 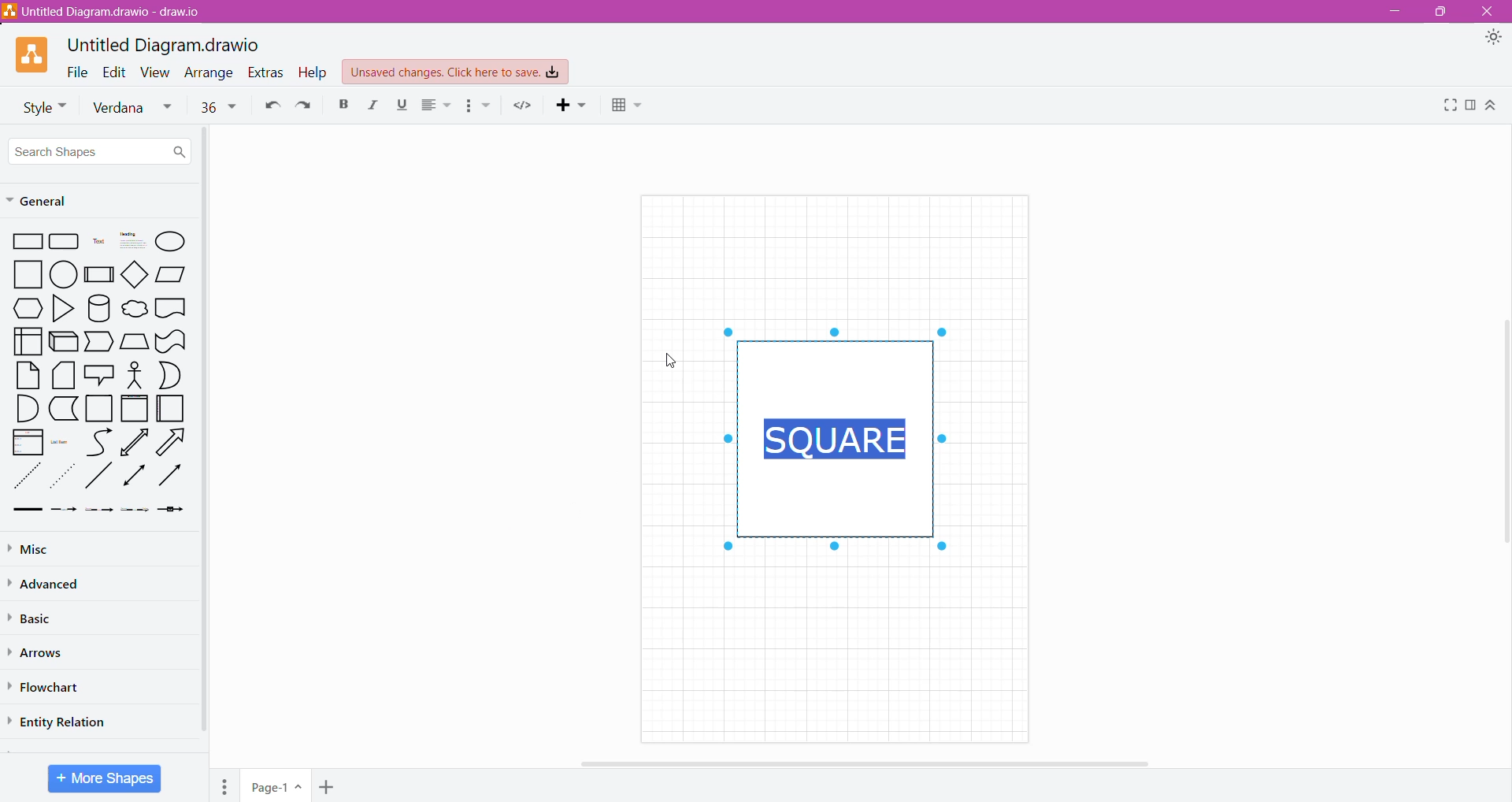 I want to click on Triangle, so click(x=63, y=307).